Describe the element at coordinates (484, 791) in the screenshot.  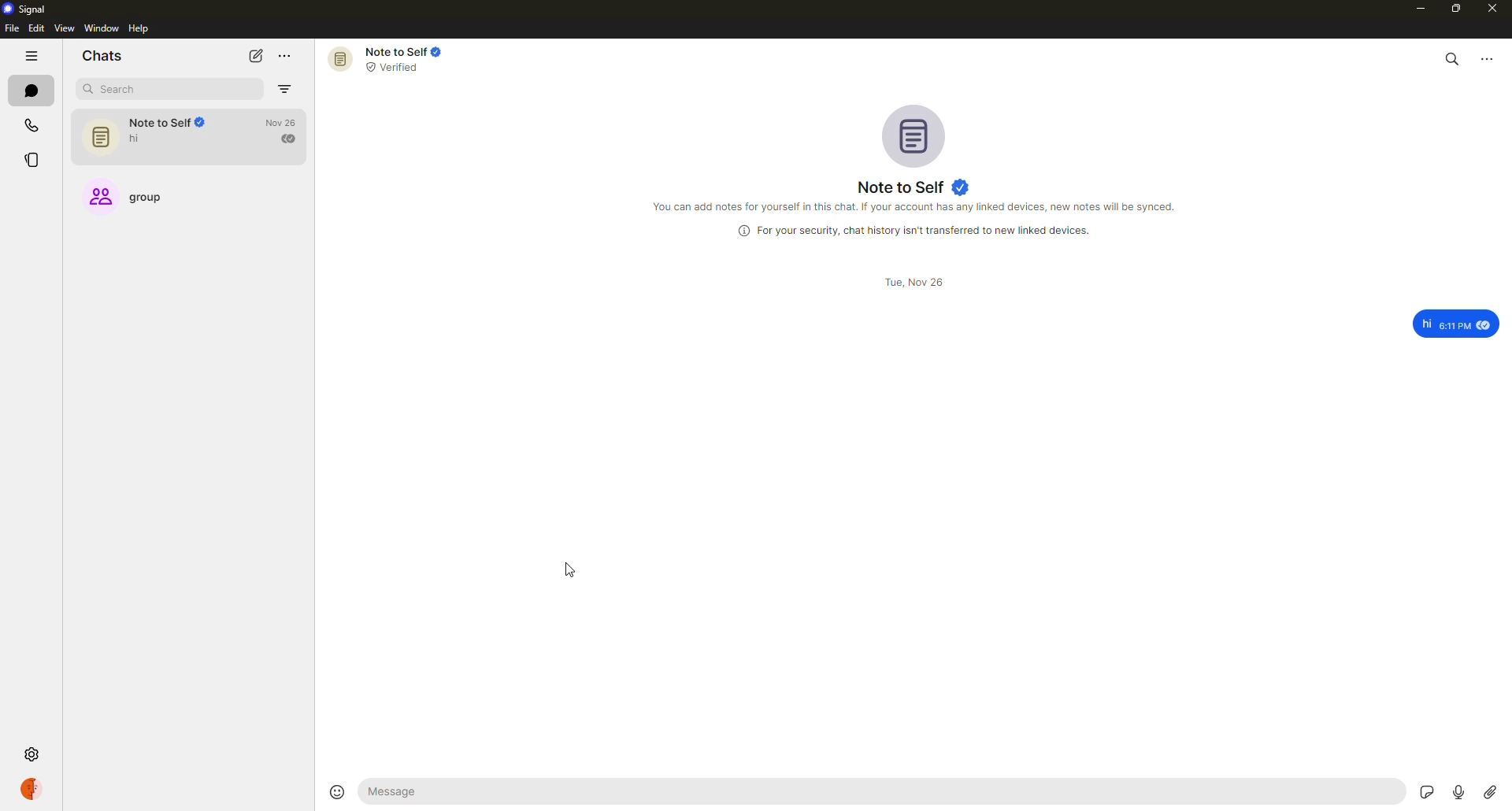
I see `message` at that location.